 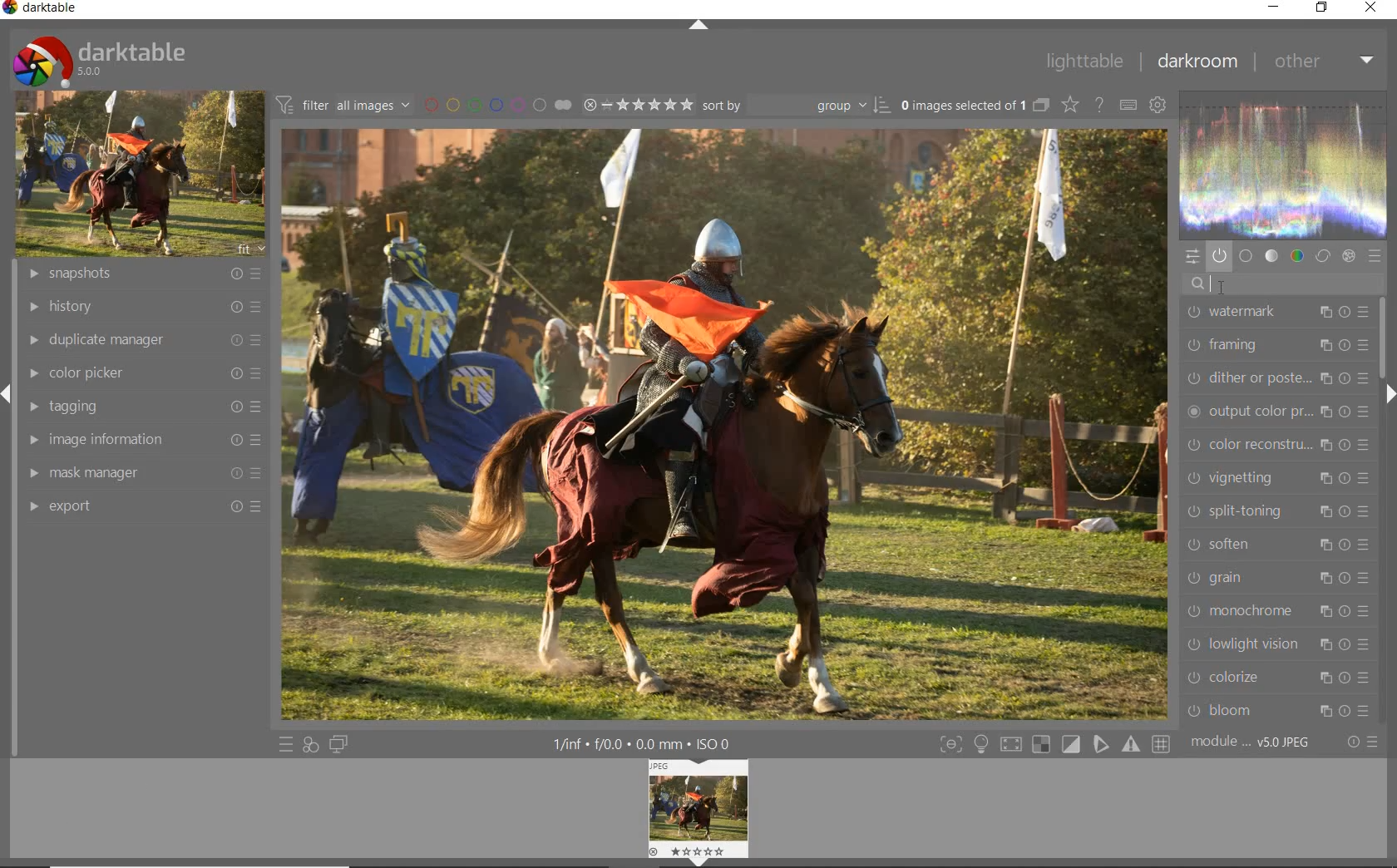 What do you see at coordinates (701, 810) in the screenshot?
I see `Image preview` at bounding box center [701, 810].